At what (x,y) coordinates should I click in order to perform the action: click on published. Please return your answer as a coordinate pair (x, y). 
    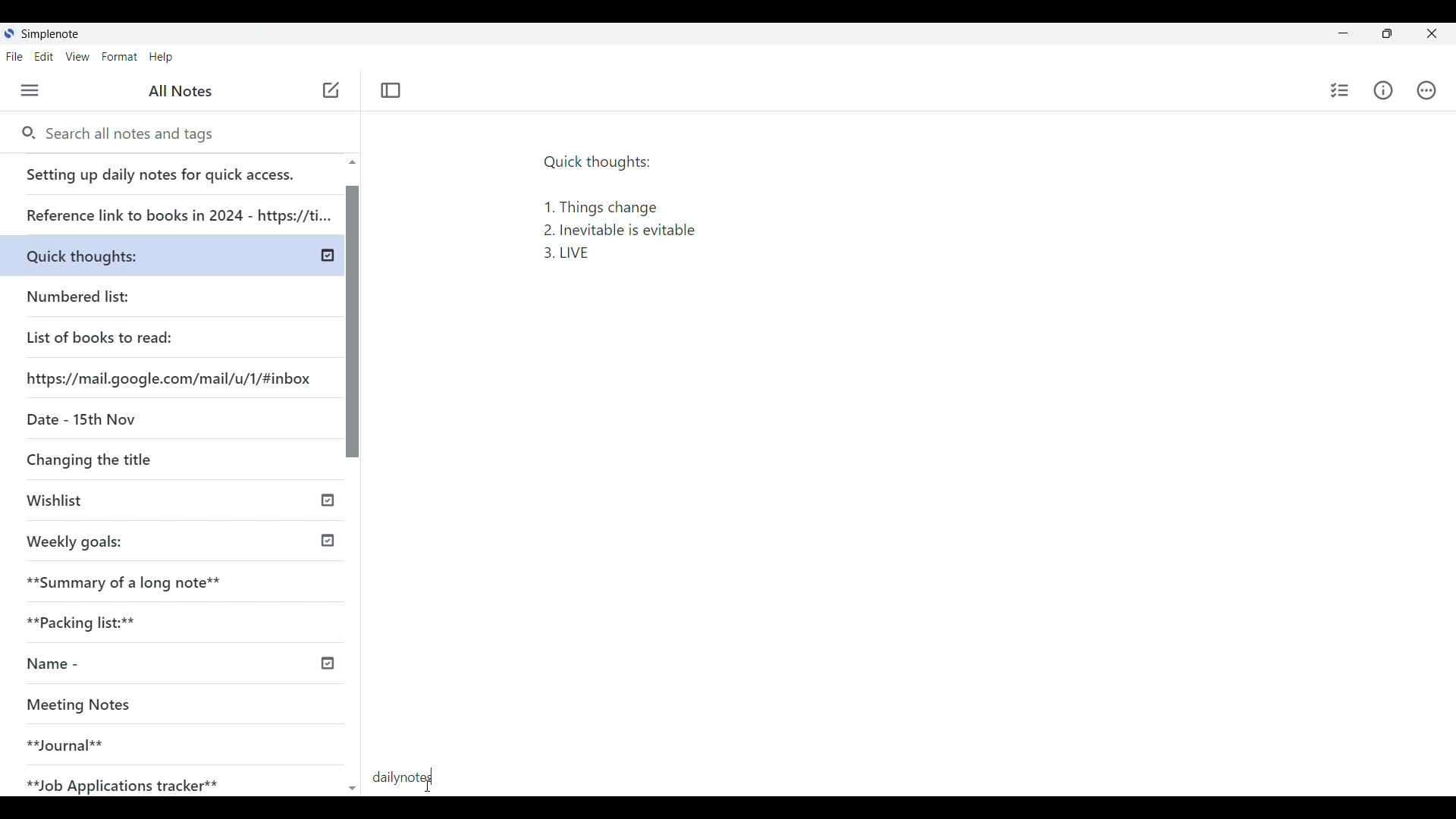
    Looking at the image, I should click on (328, 256).